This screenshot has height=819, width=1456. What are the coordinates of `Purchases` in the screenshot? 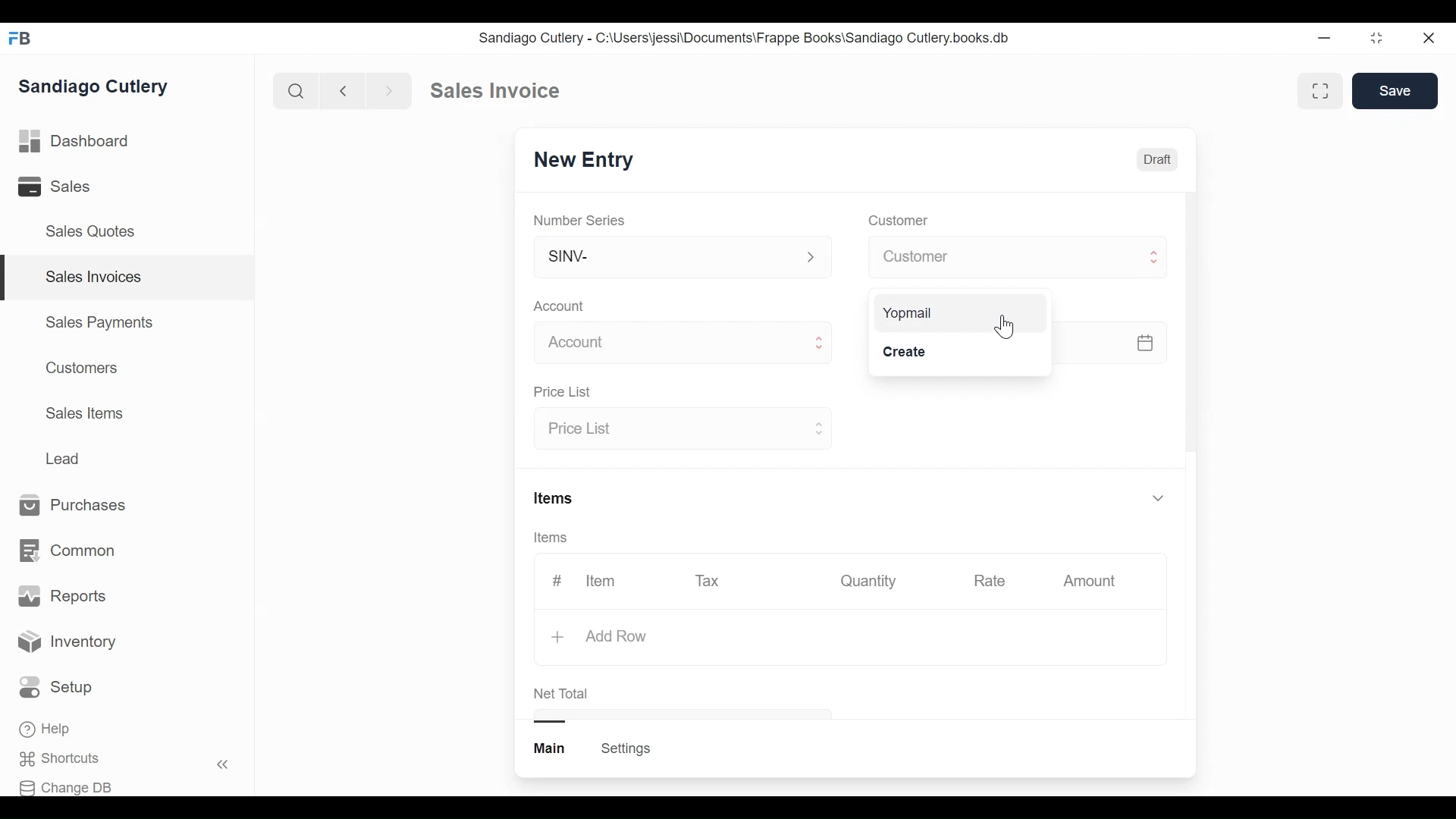 It's located at (80, 506).